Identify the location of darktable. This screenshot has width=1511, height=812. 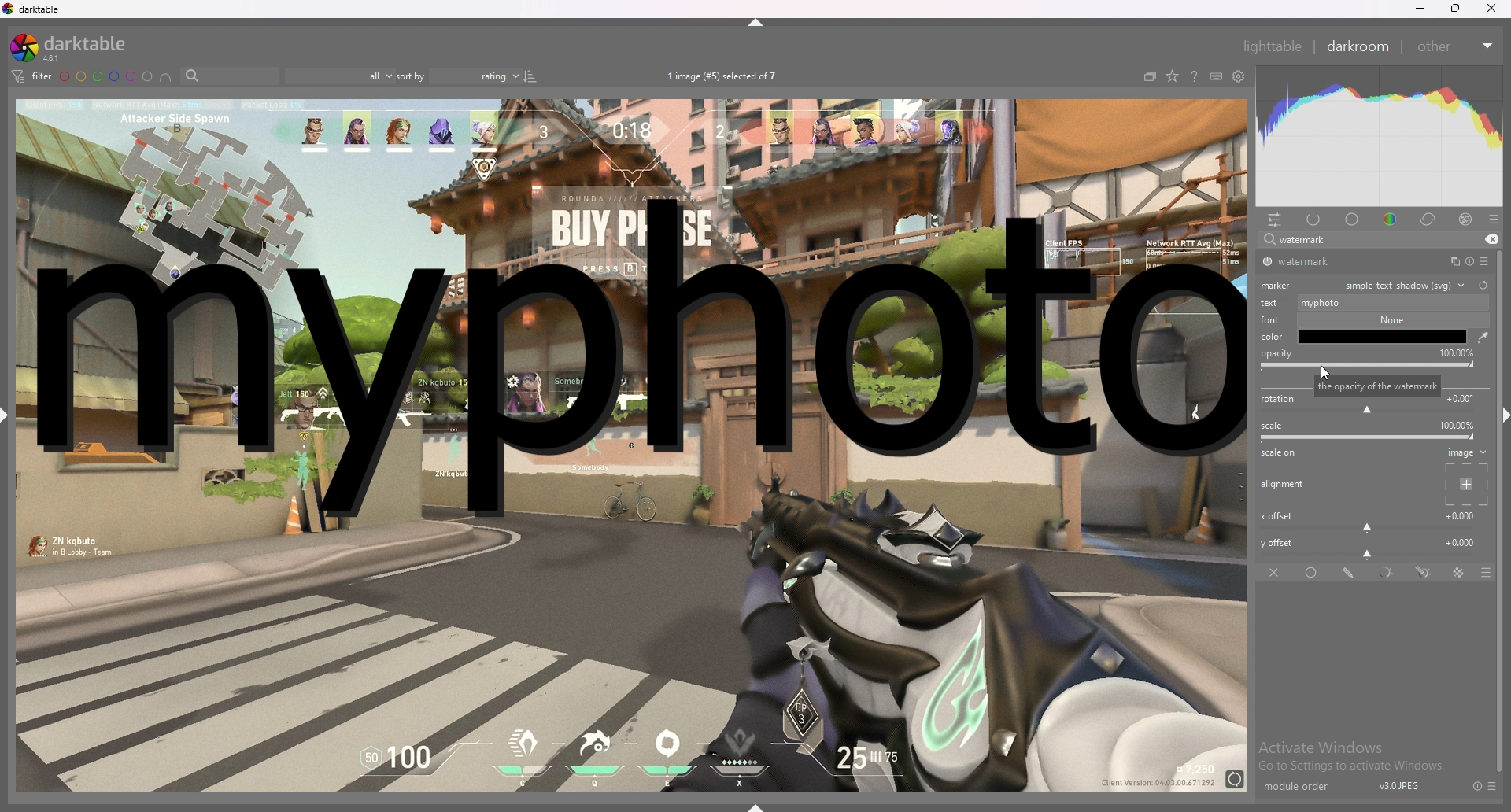
(75, 47).